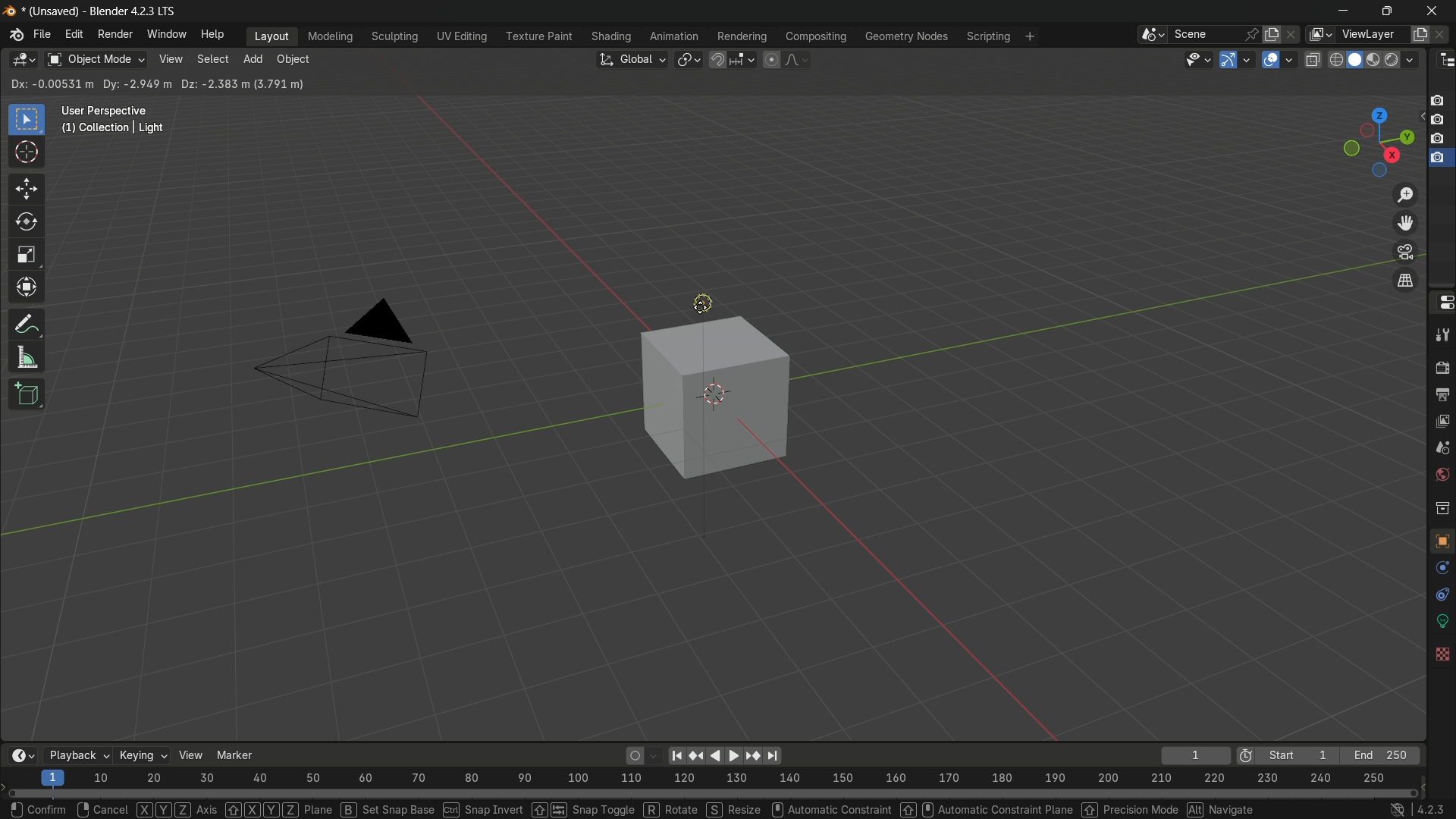  What do you see at coordinates (142, 757) in the screenshot?
I see `keying` at bounding box center [142, 757].